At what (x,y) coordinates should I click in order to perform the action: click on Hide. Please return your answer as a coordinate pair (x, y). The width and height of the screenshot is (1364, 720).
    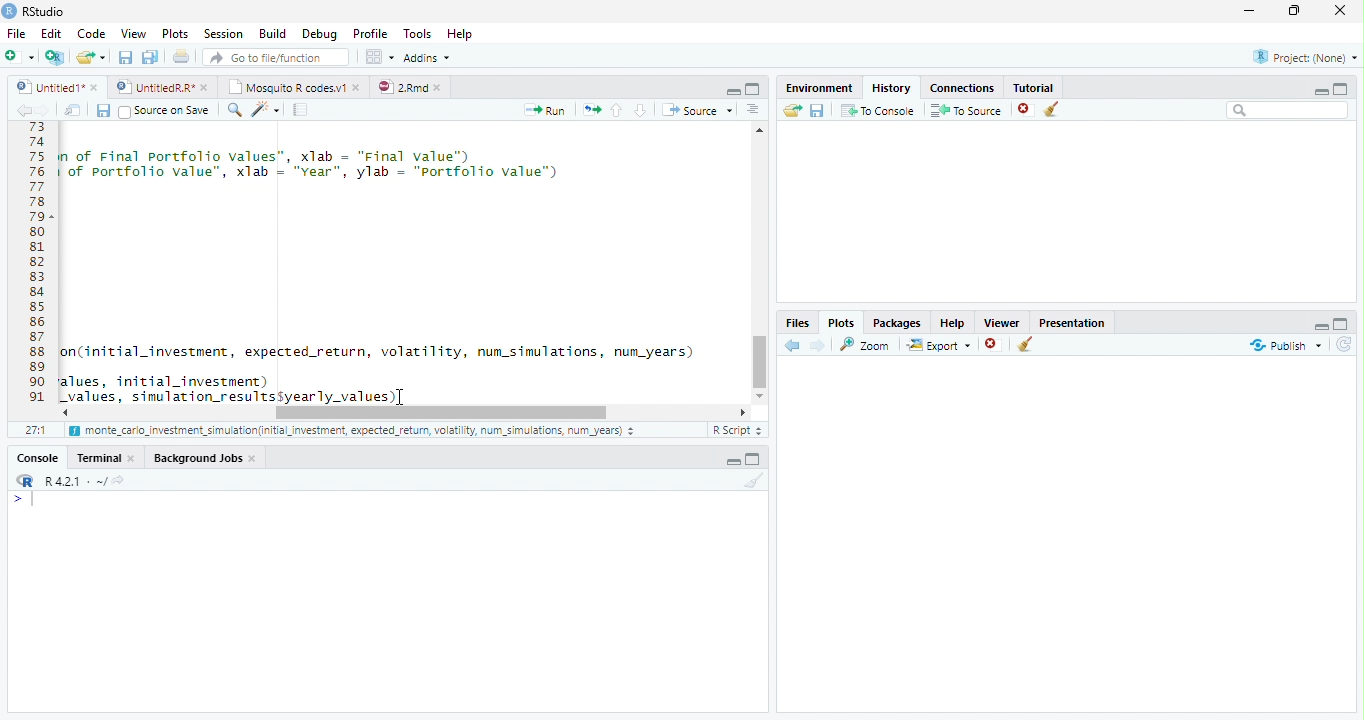
    Looking at the image, I should click on (1319, 324).